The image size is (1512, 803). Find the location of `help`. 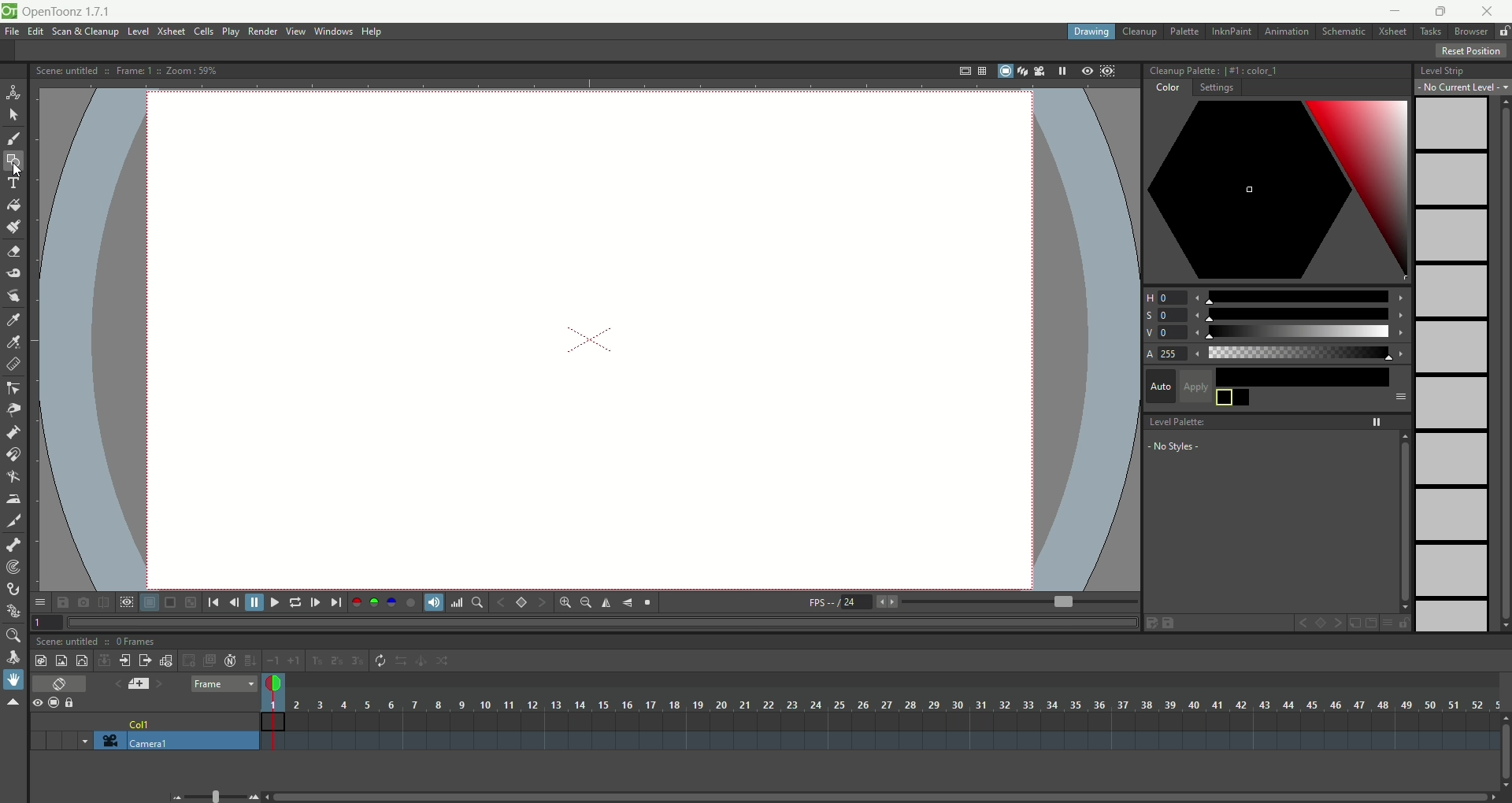

help is located at coordinates (373, 32).